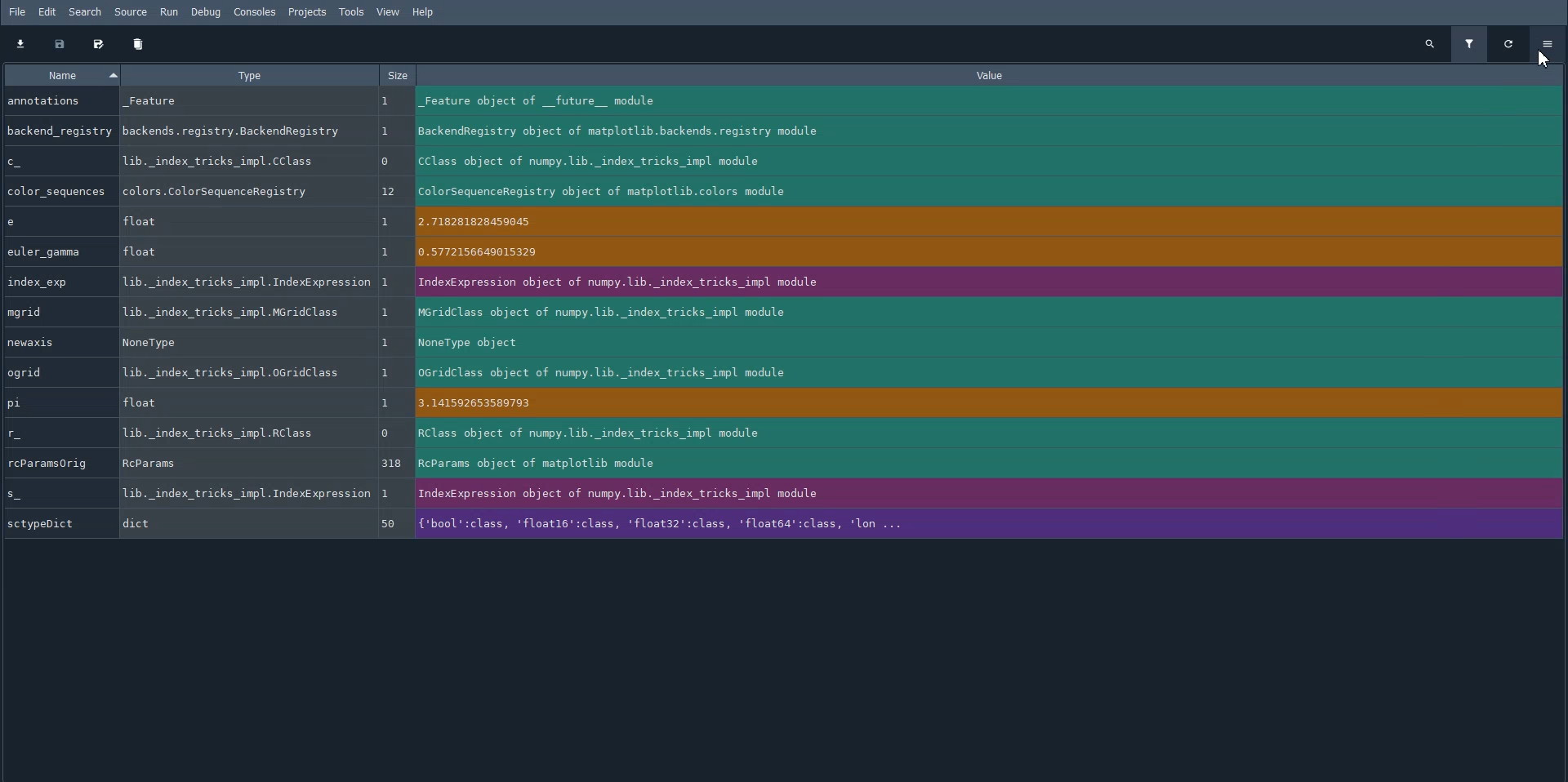 The width and height of the screenshot is (1568, 782). I want to click on 1, so click(387, 131).